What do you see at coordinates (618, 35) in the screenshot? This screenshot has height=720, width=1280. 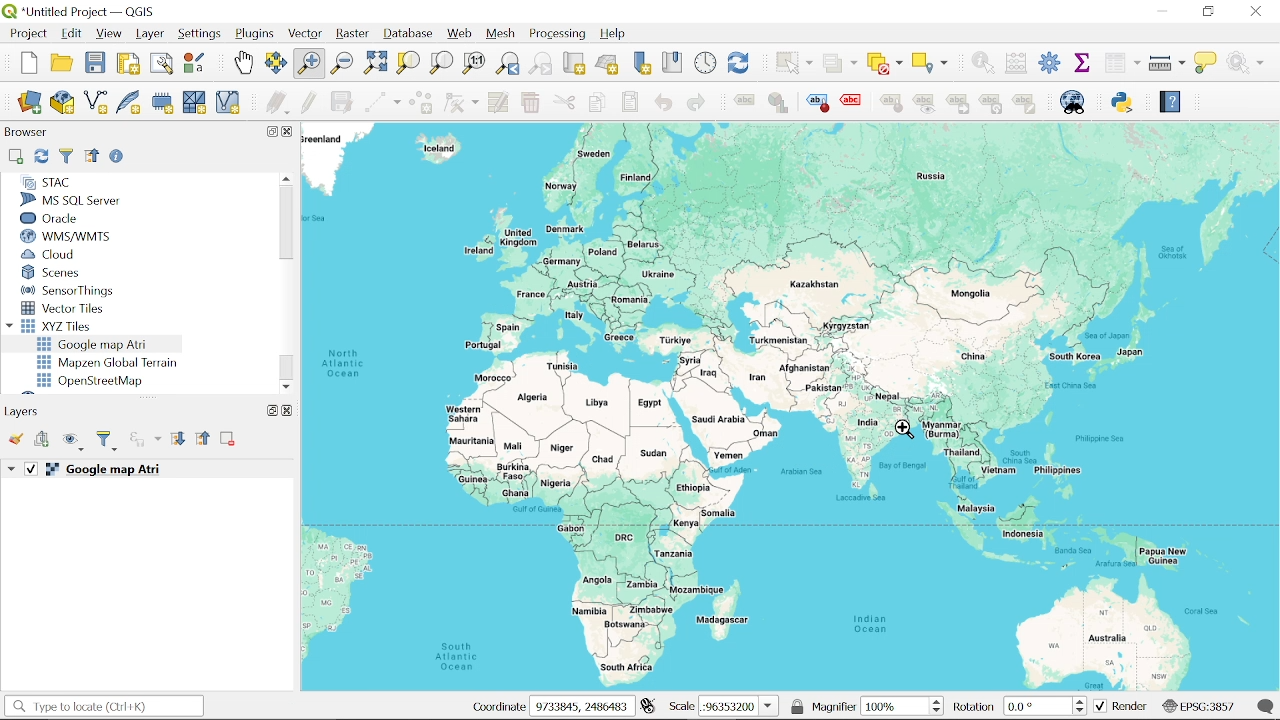 I see `Help` at bounding box center [618, 35].